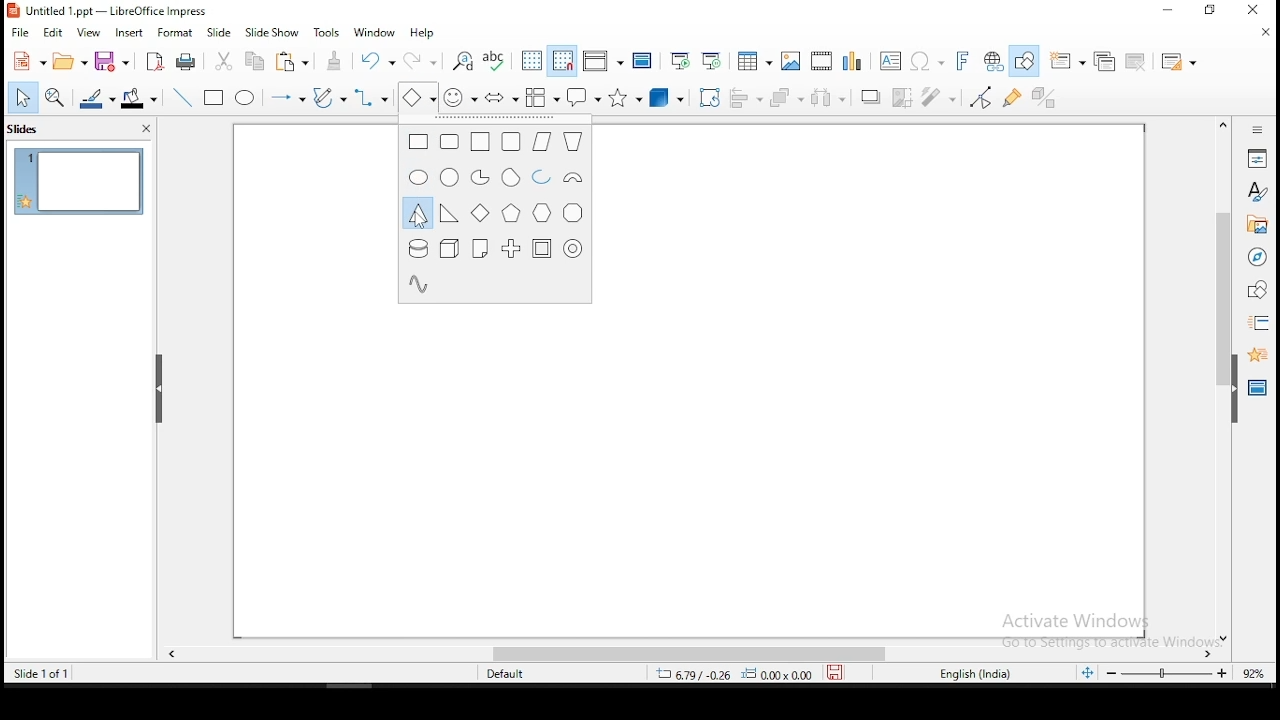 The image size is (1280, 720). Describe the element at coordinates (1258, 131) in the screenshot. I see `sidebar settings` at that location.